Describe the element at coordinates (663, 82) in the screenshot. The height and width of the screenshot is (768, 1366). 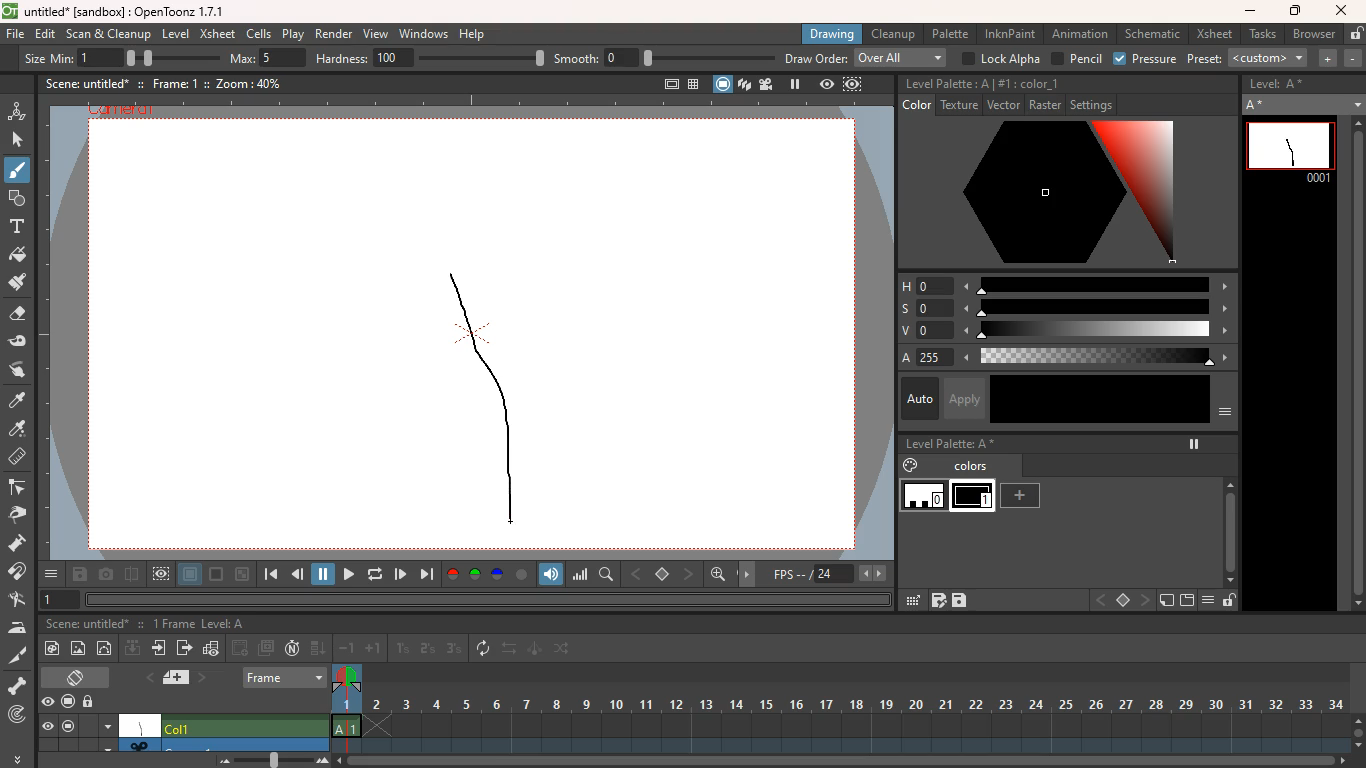
I see `full screen` at that location.